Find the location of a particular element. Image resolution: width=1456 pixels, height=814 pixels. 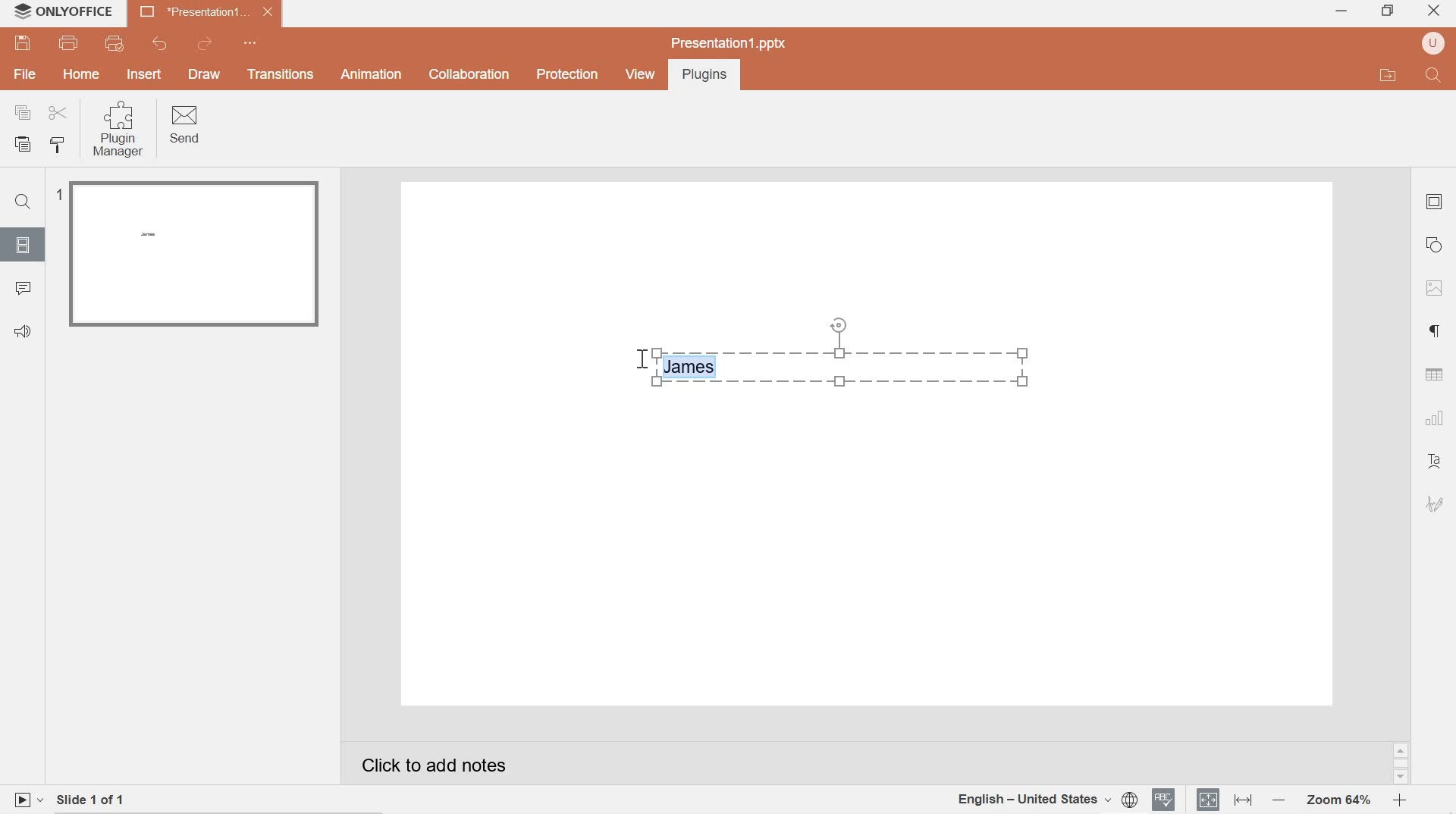

INSERT is located at coordinates (146, 74).